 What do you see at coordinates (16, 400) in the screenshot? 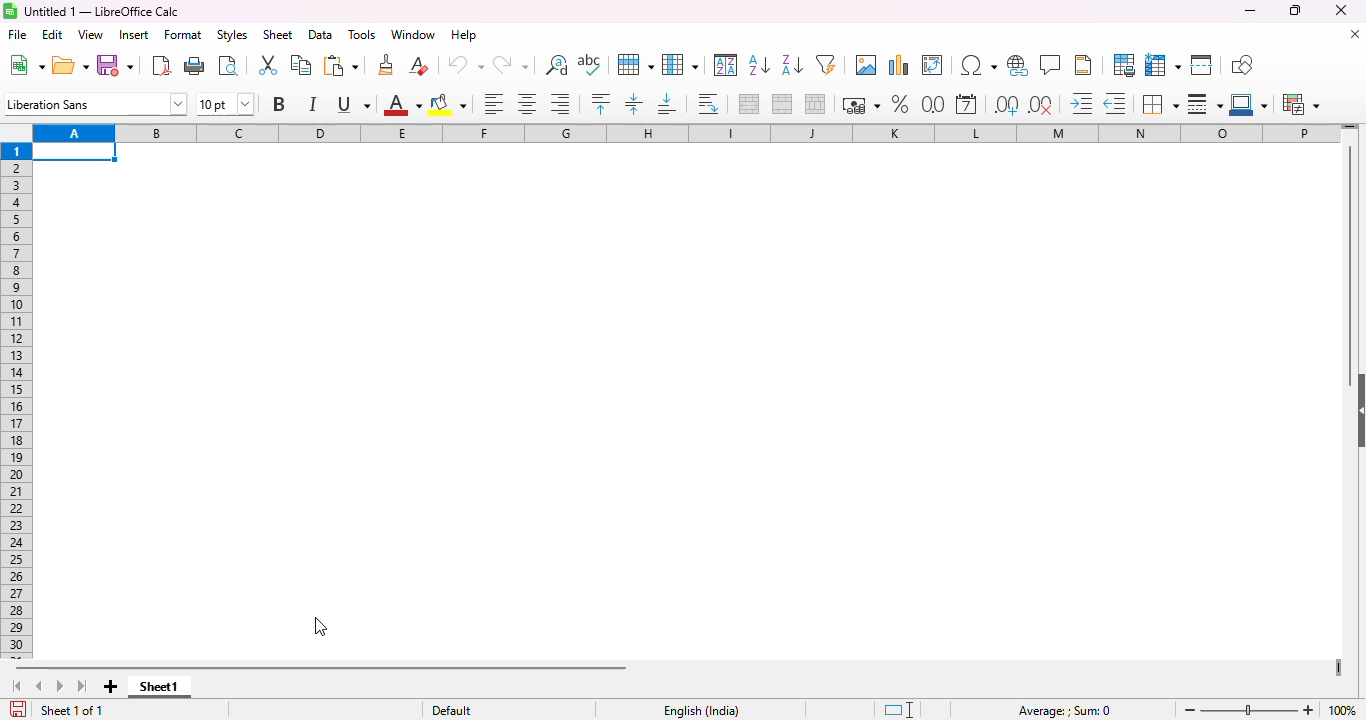
I see `rows` at bounding box center [16, 400].